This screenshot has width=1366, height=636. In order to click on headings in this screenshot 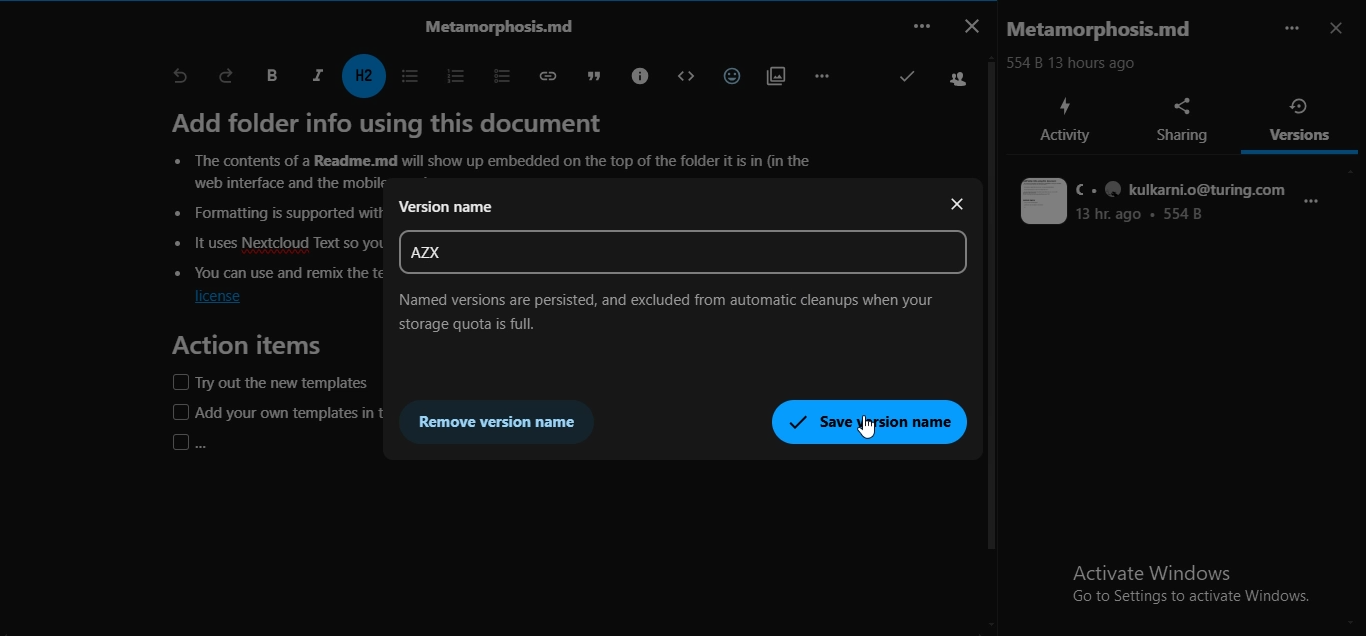, I will do `click(366, 76)`.